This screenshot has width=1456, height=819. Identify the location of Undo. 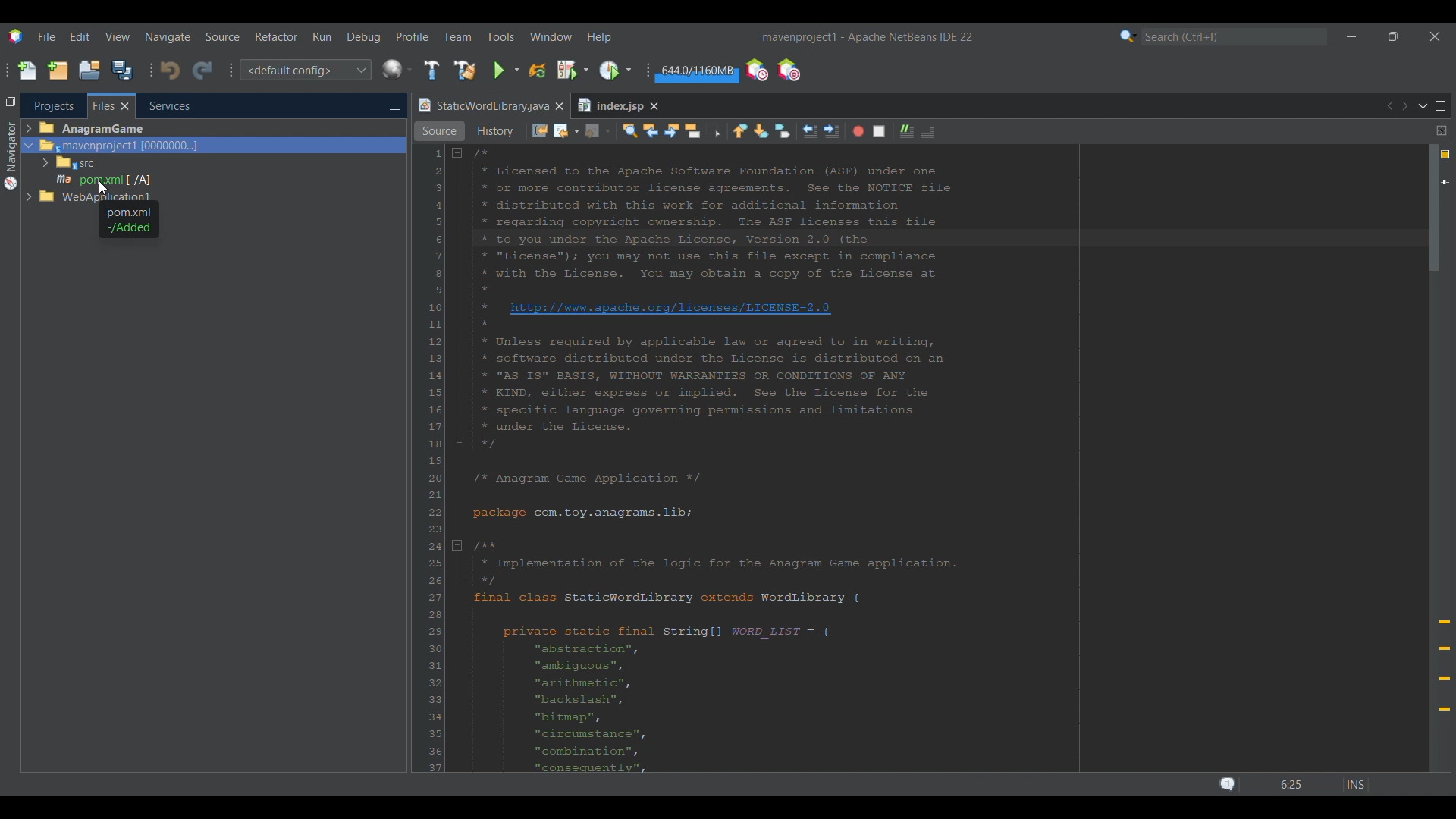
(170, 71).